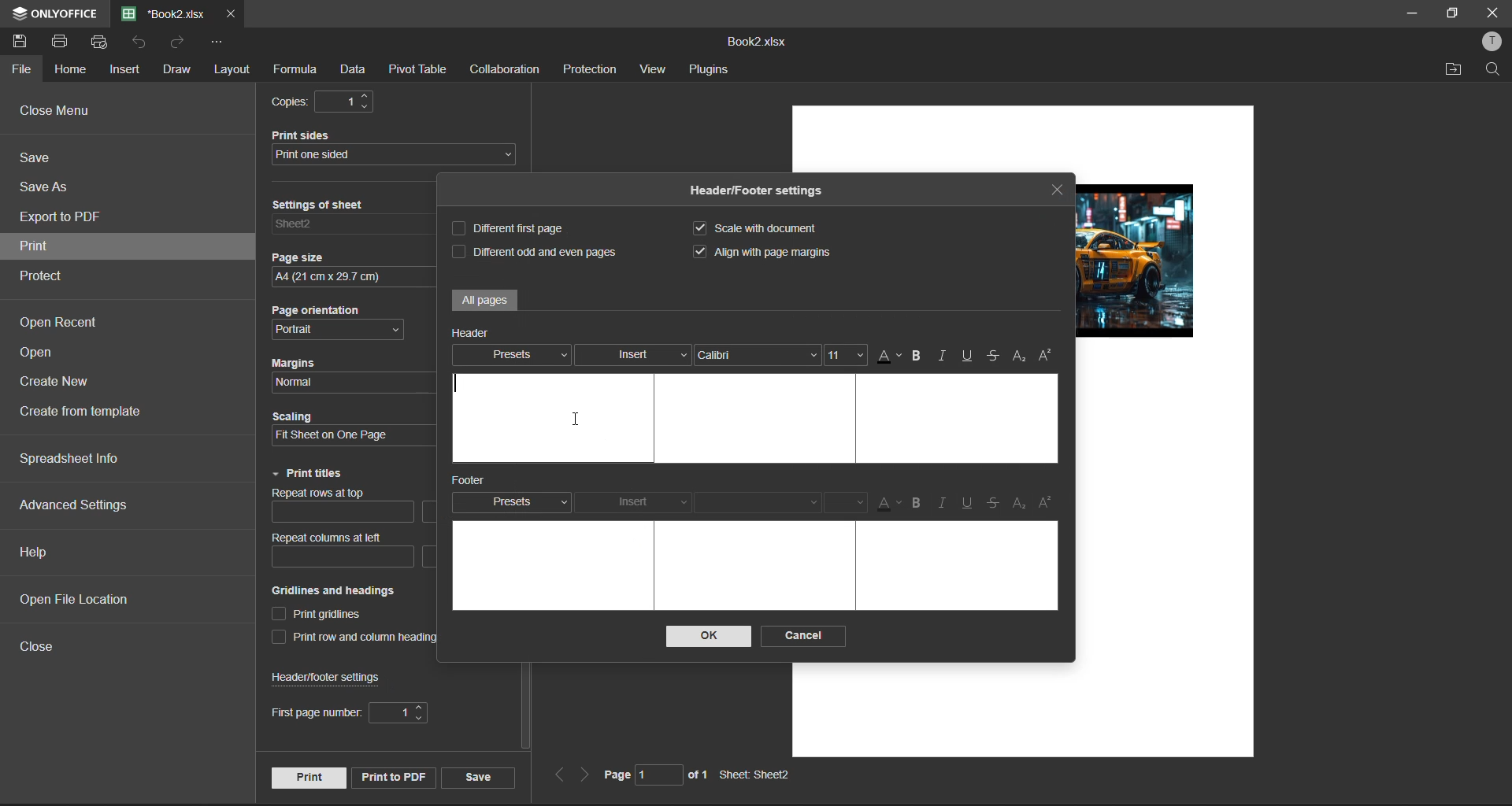  I want to click on close tab, so click(229, 16).